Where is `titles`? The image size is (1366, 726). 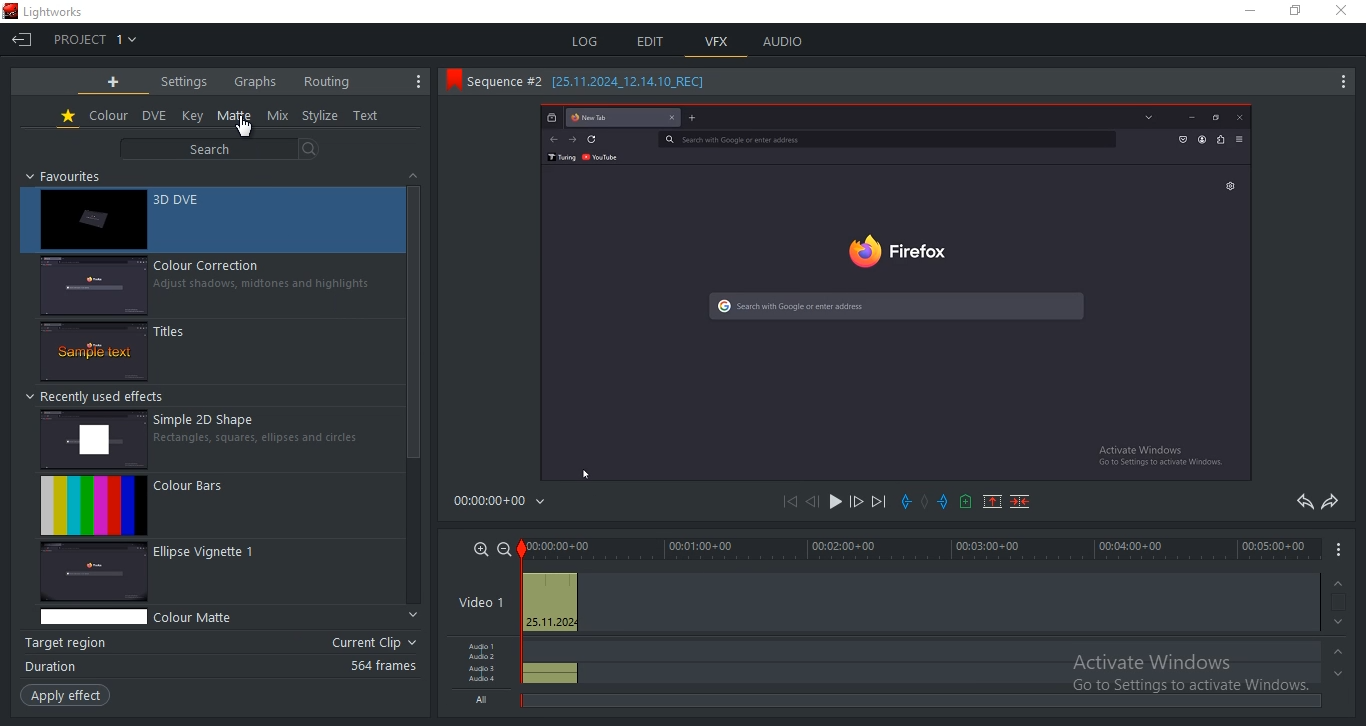
titles is located at coordinates (216, 353).